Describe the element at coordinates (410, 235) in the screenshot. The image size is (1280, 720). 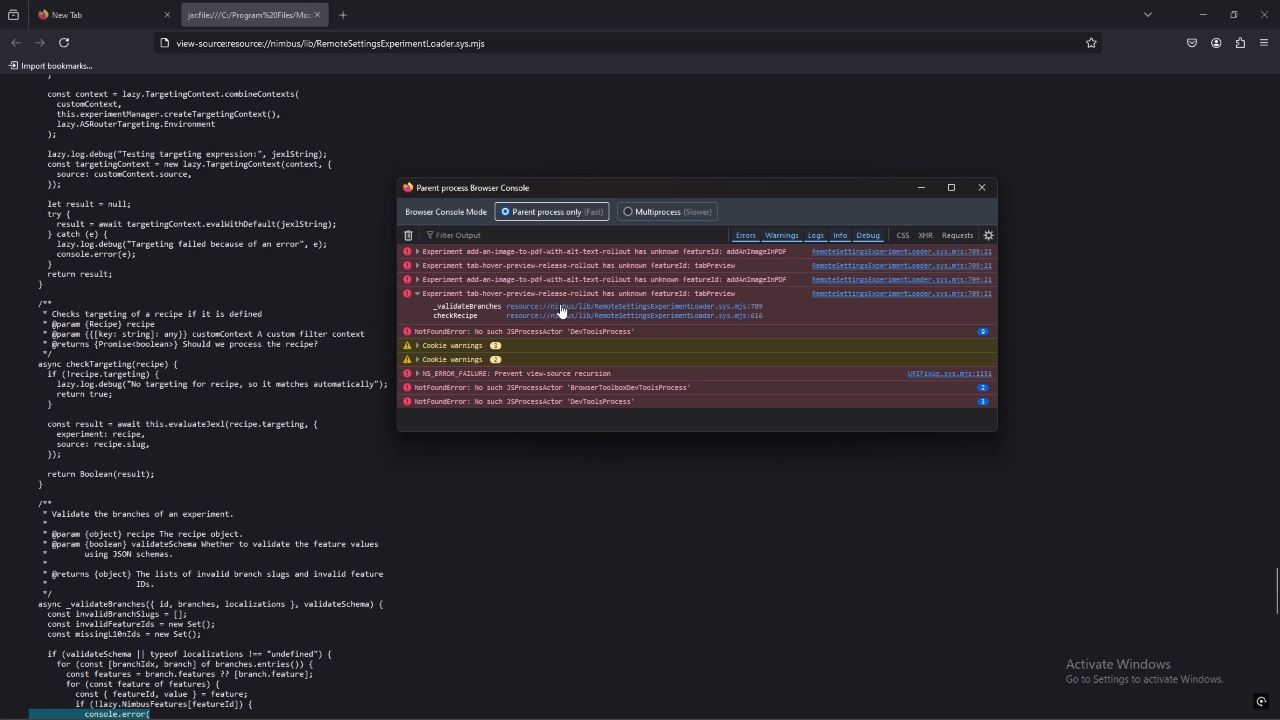
I see `delete` at that location.